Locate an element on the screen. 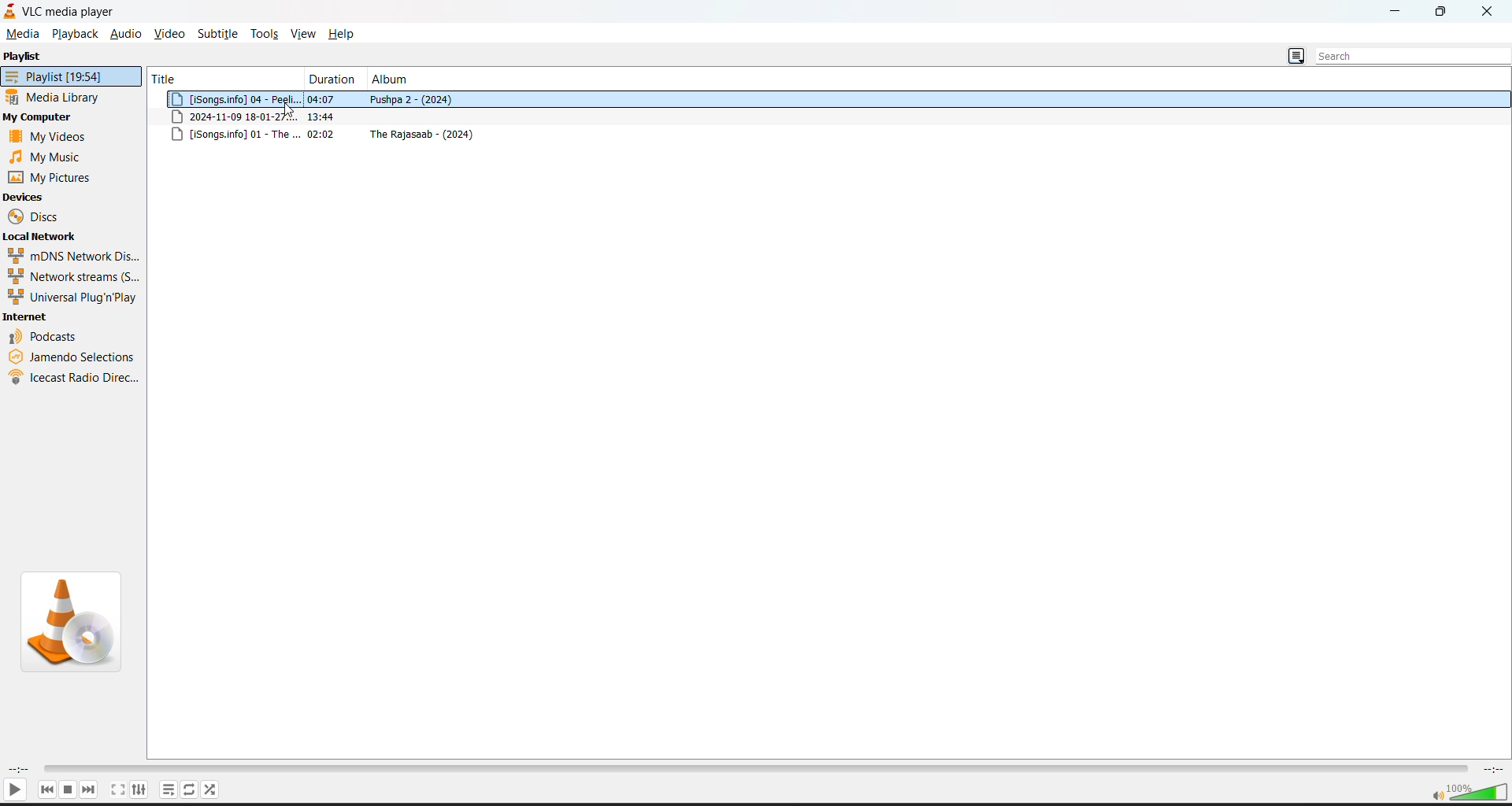  audio is located at coordinates (125, 34).